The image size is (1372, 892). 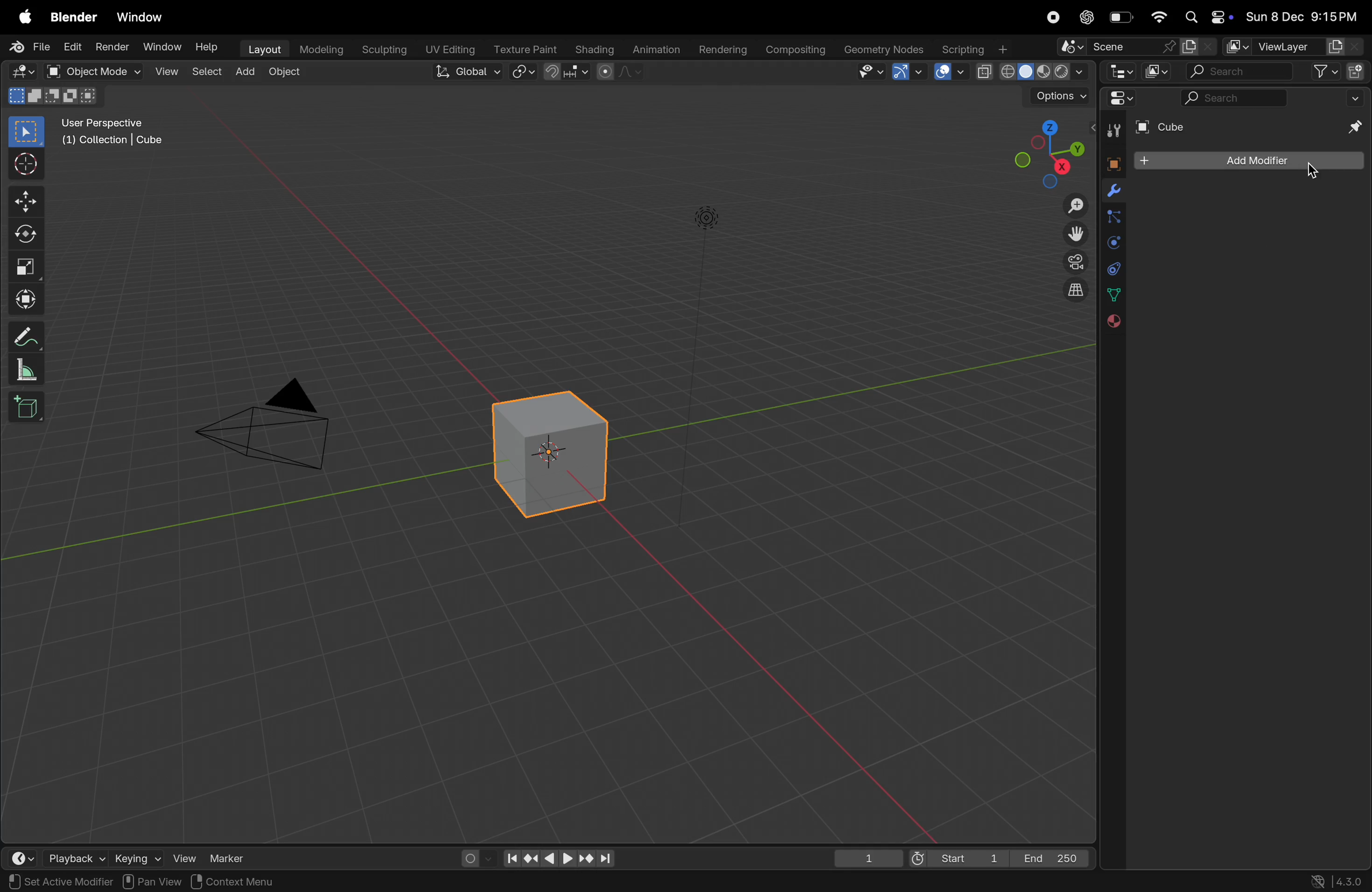 What do you see at coordinates (1156, 71) in the screenshot?
I see `display mode` at bounding box center [1156, 71].